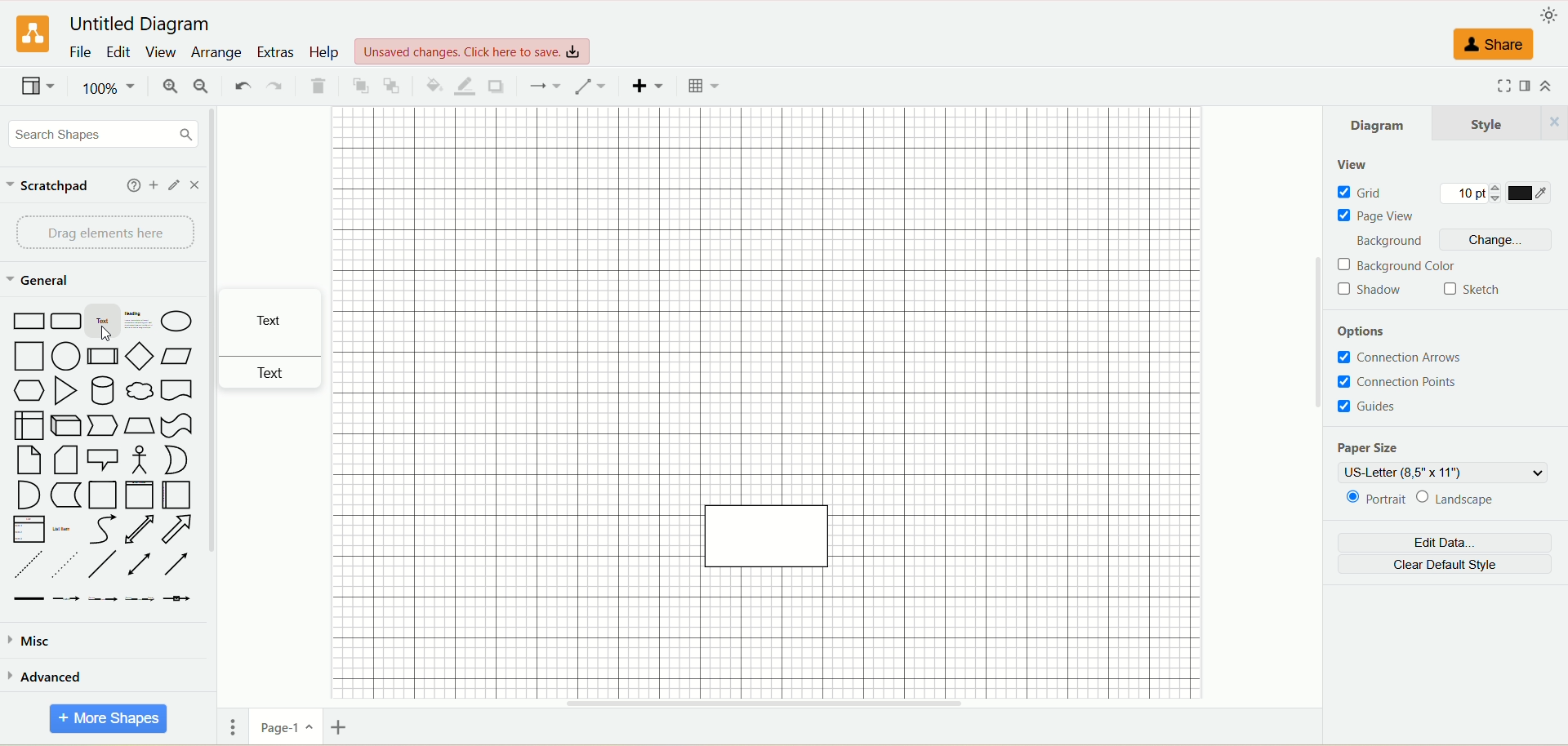  I want to click on parallelogram, so click(174, 356).